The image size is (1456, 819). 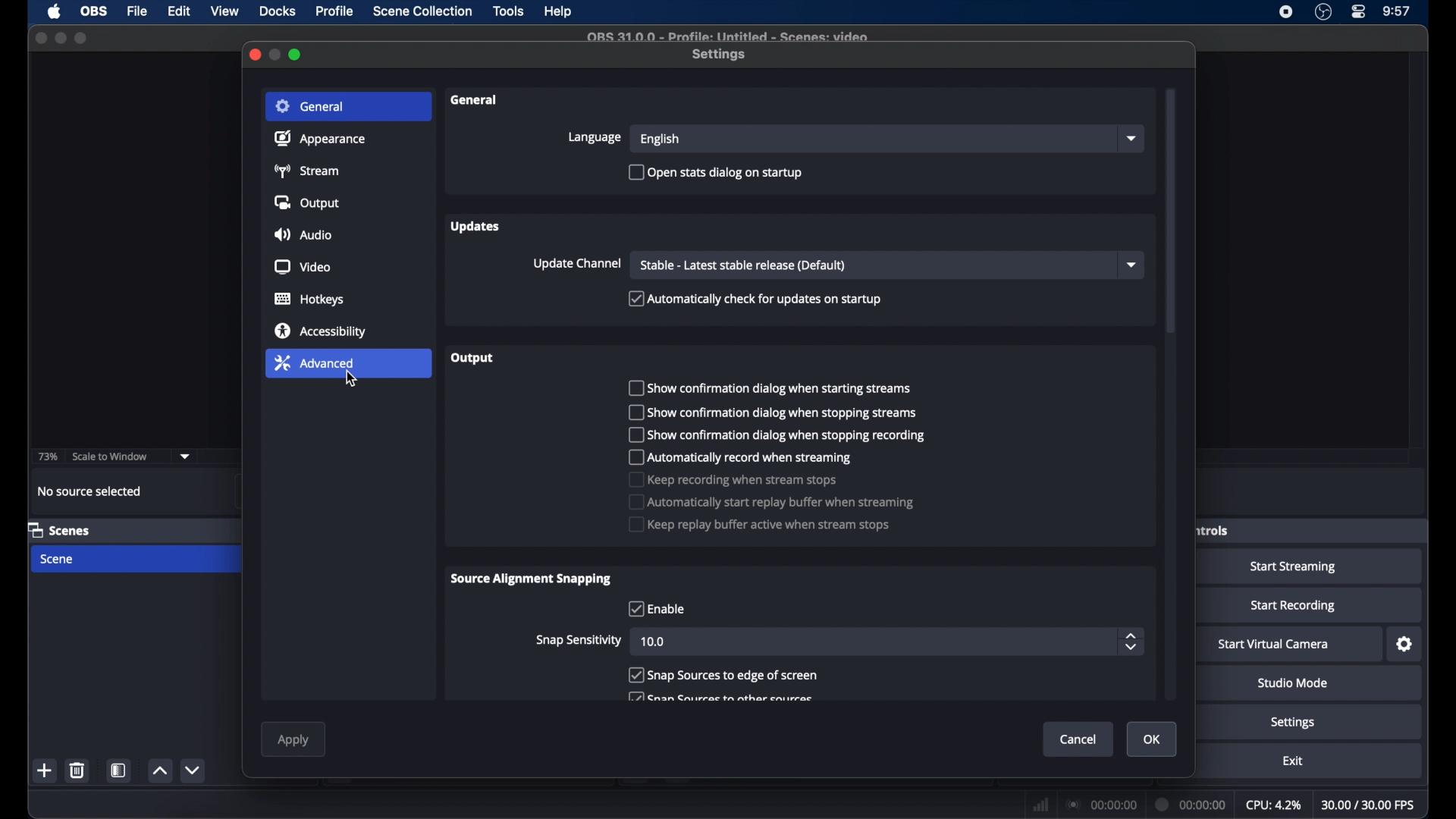 What do you see at coordinates (768, 387) in the screenshot?
I see `checkbox` at bounding box center [768, 387].